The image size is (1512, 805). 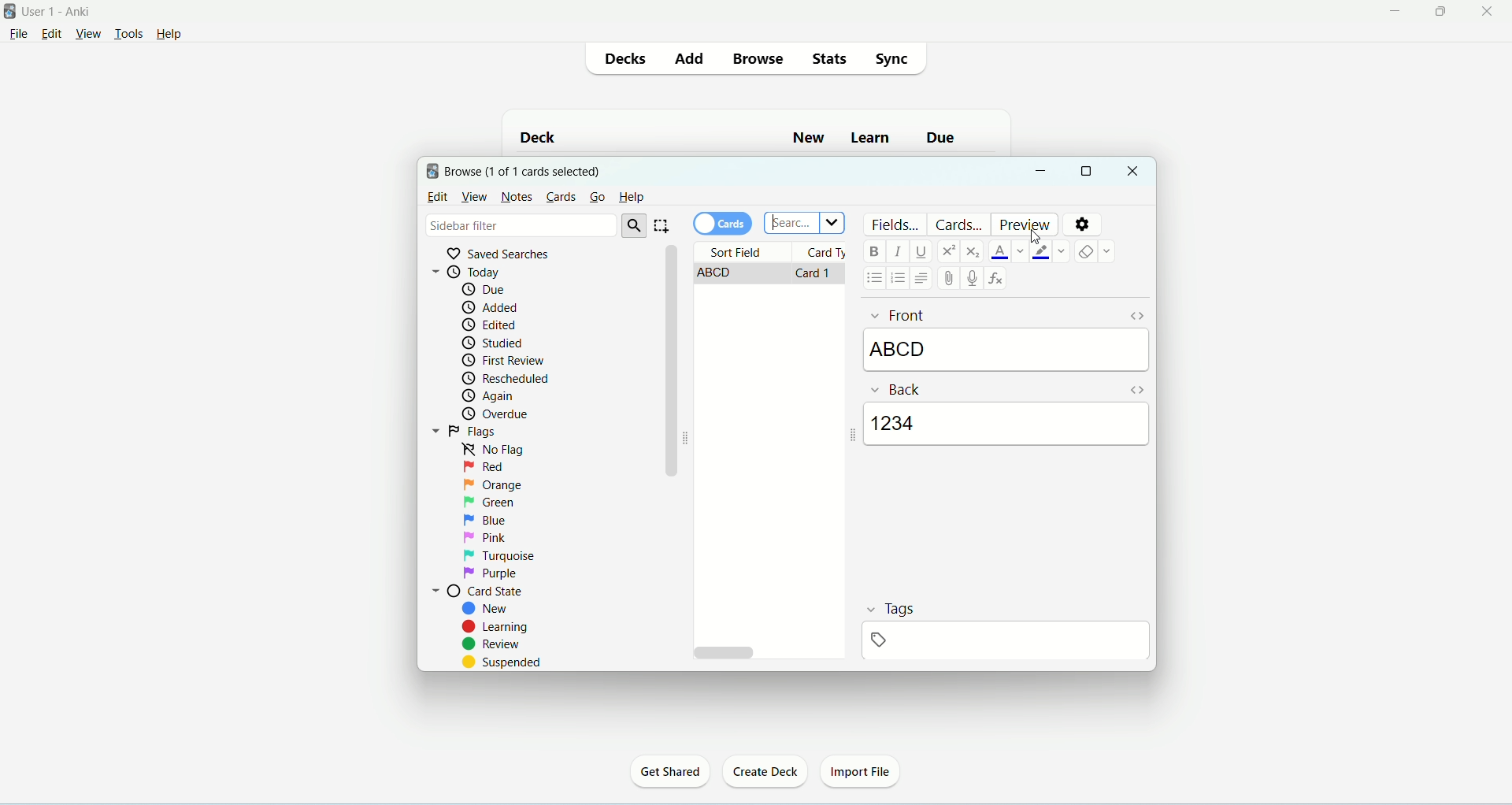 I want to click on HTML editor, so click(x=1135, y=316).